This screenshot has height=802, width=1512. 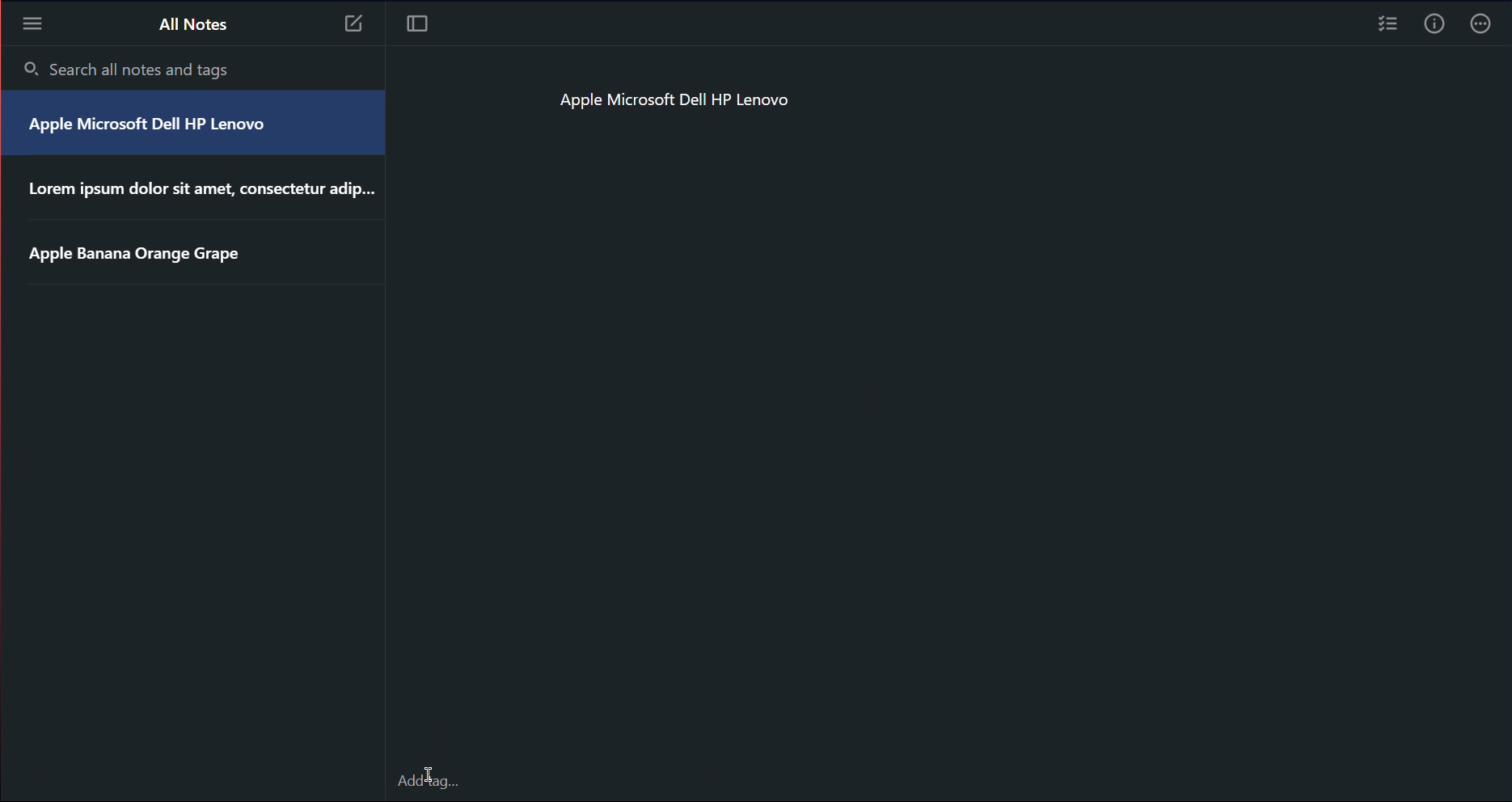 I want to click on Apple Banana Orange Grape, so click(x=137, y=257).